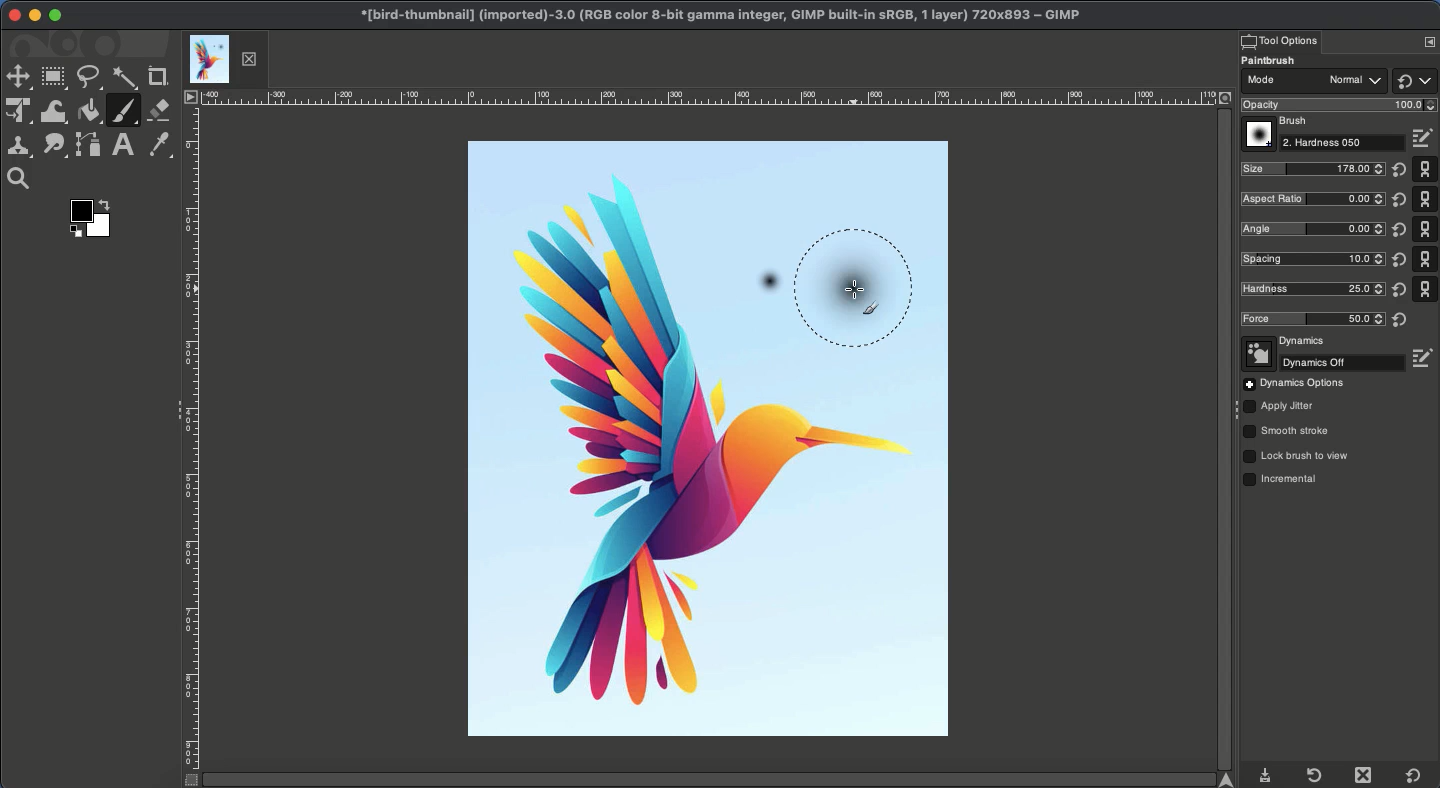 The image size is (1440, 788). What do you see at coordinates (1279, 408) in the screenshot?
I see `Jitter` at bounding box center [1279, 408].